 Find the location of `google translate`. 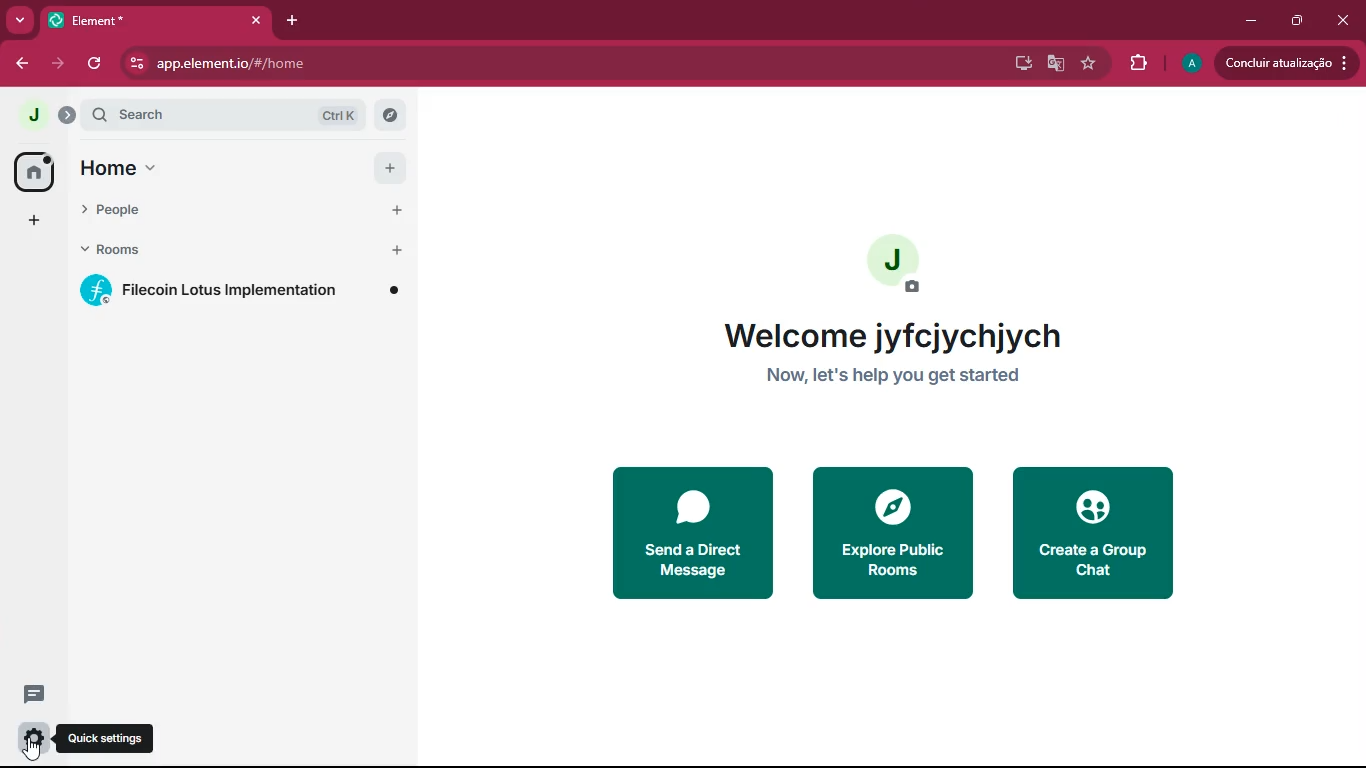

google translate is located at coordinates (1056, 66).